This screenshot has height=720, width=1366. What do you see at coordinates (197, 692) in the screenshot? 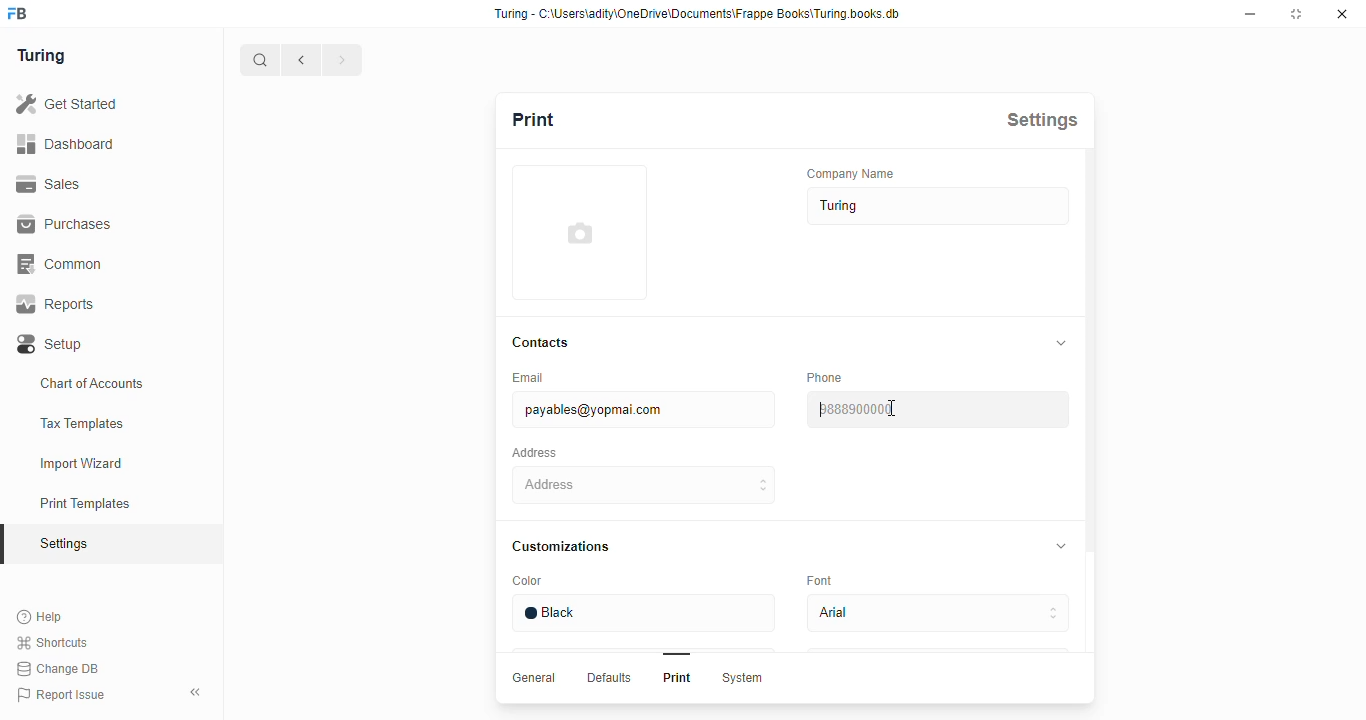
I see `collapse` at bounding box center [197, 692].